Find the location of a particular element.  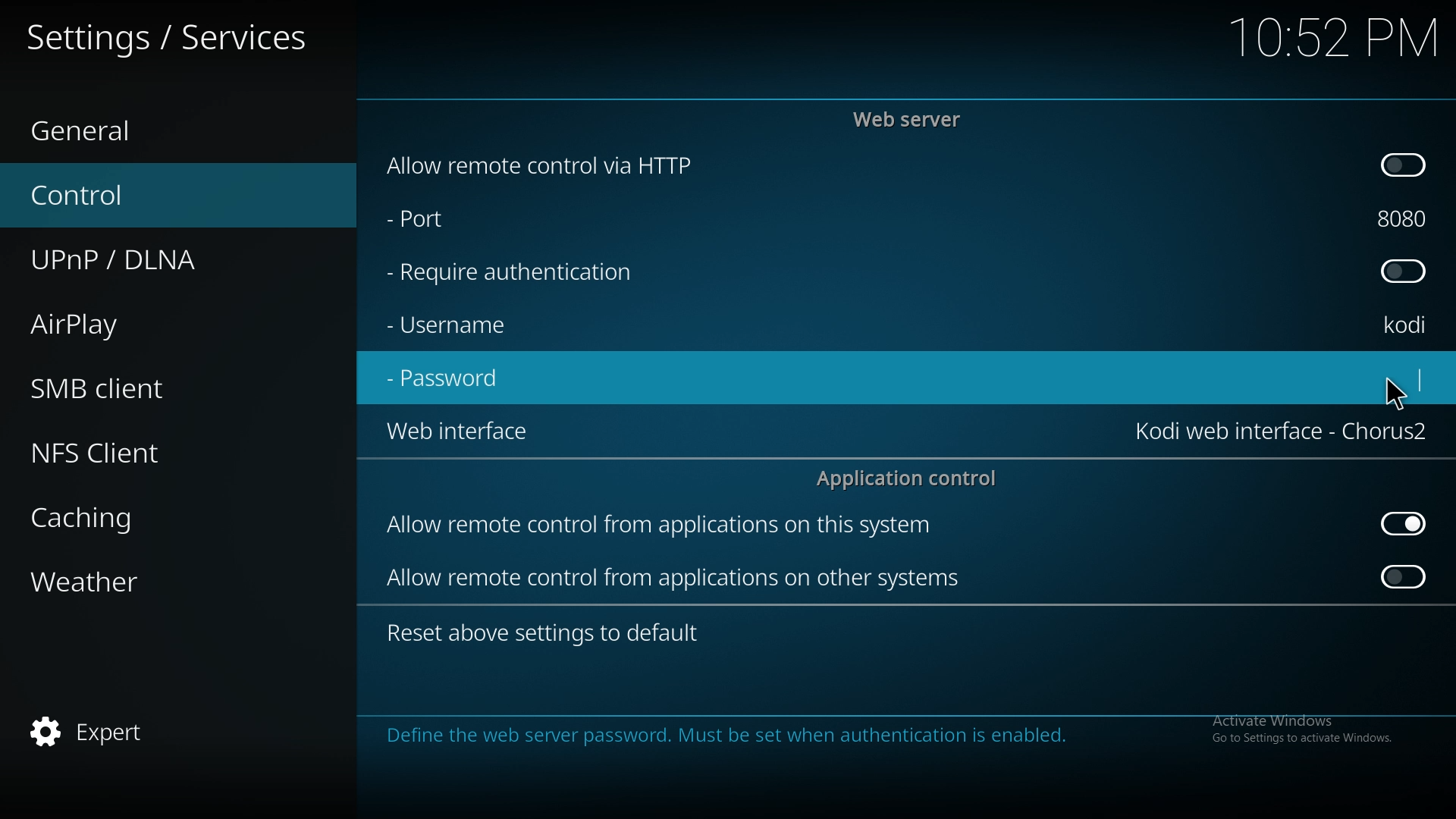

allow remote control from apps on other systems is located at coordinates (676, 578).